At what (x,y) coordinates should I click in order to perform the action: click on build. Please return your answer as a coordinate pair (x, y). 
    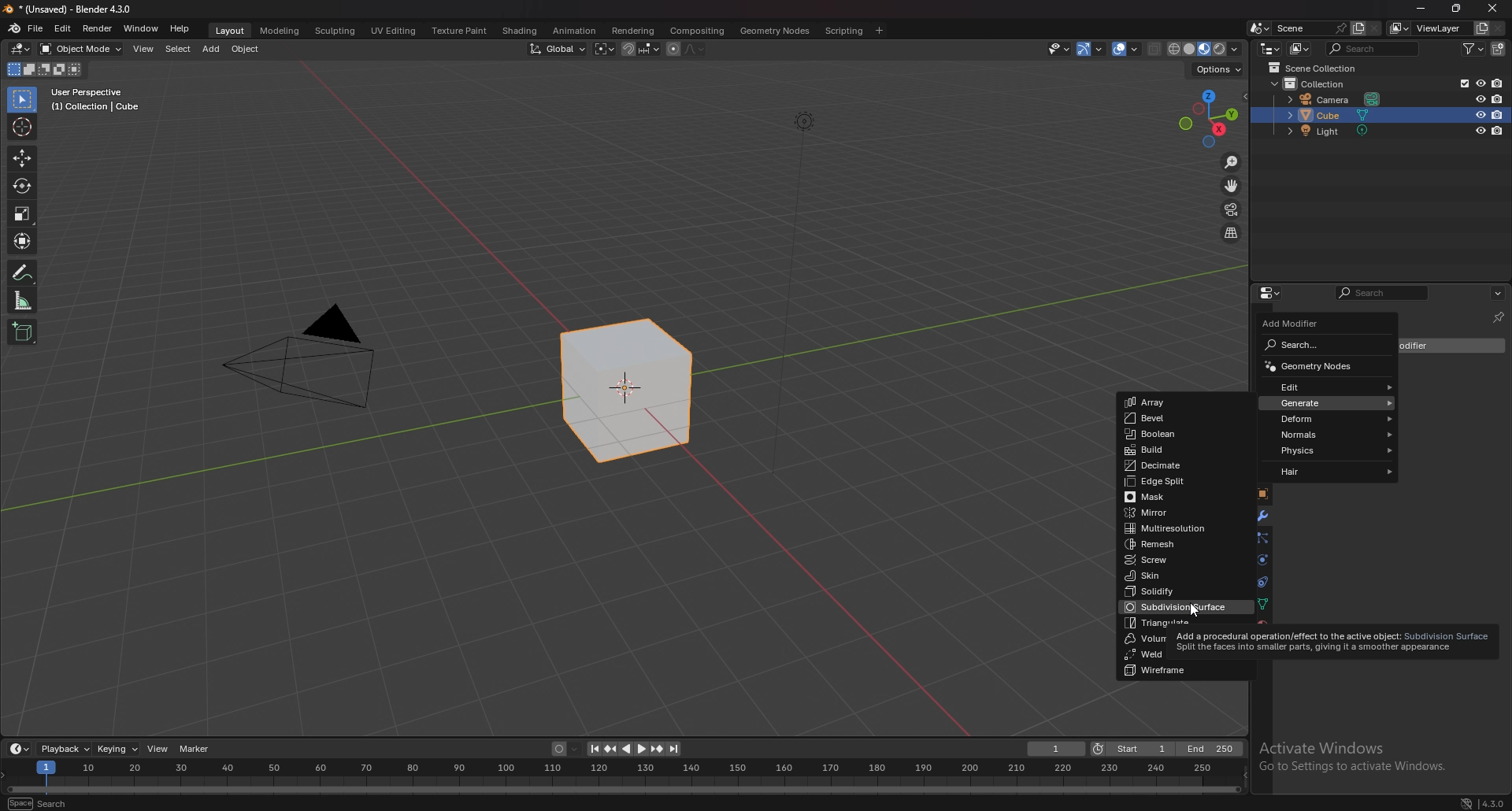
    Looking at the image, I should click on (1184, 450).